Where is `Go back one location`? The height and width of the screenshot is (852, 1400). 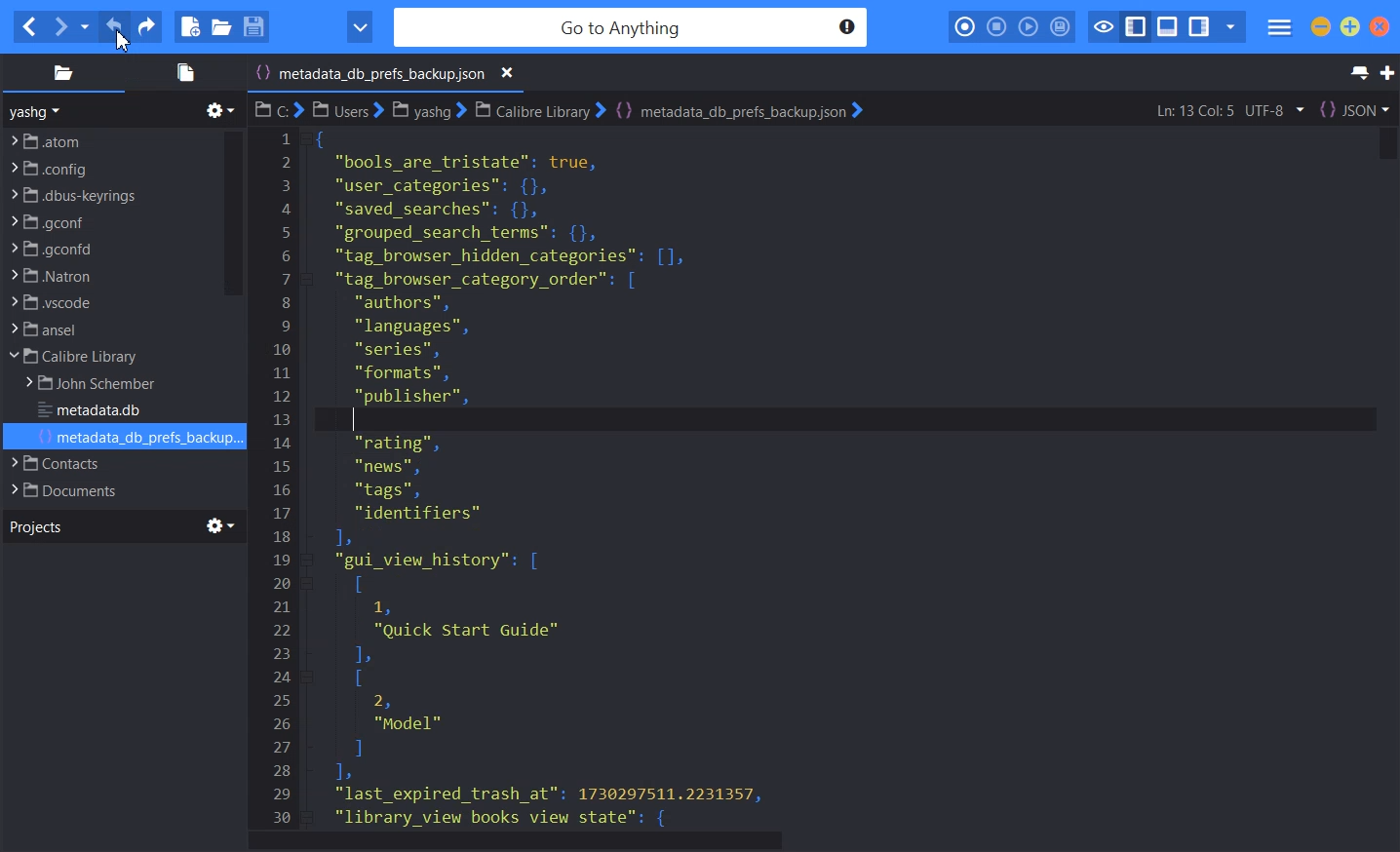 Go back one location is located at coordinates (28, 27).